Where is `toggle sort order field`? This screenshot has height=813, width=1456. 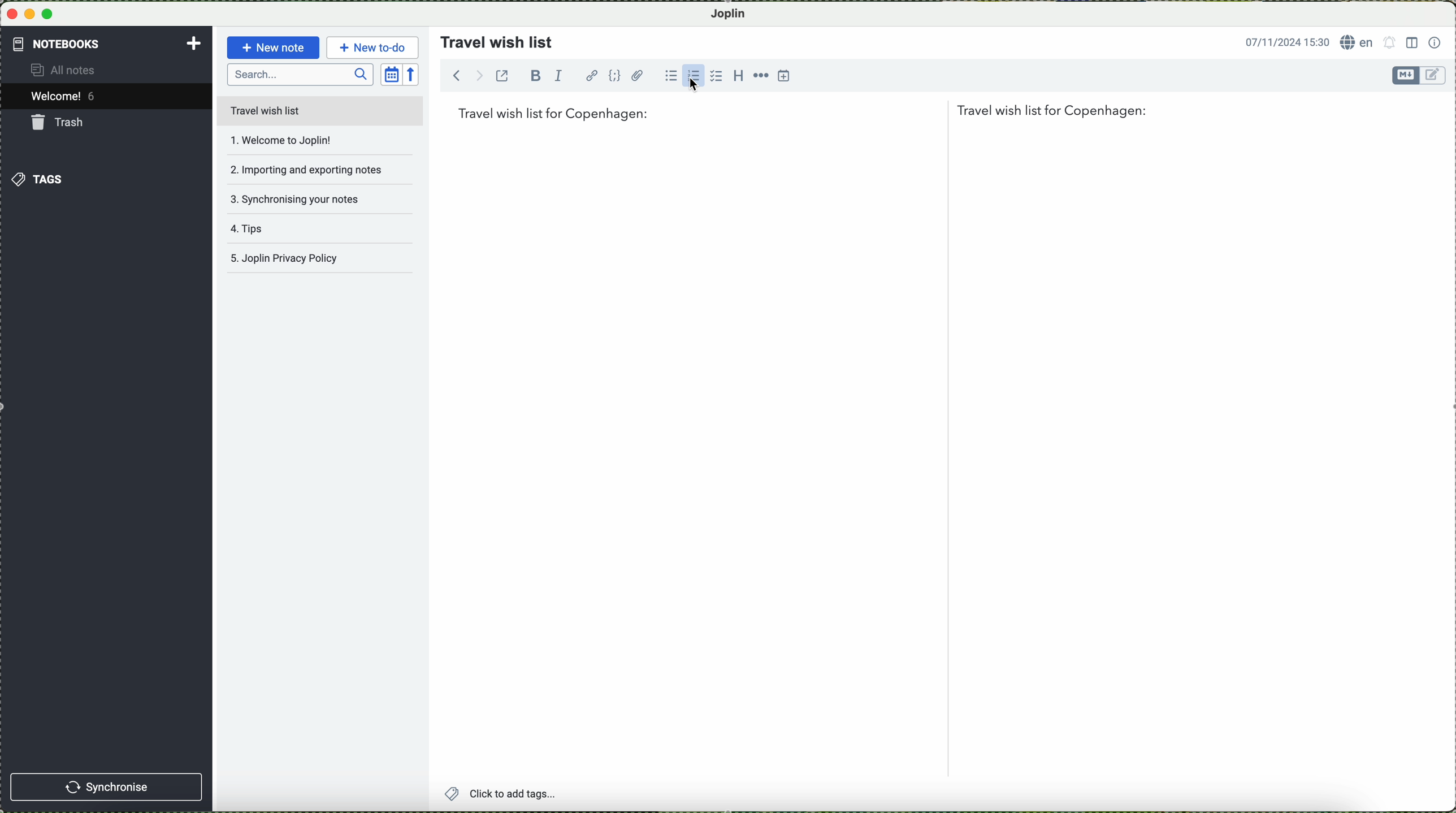 toggle sort order field is located at coordinates (391, 73).